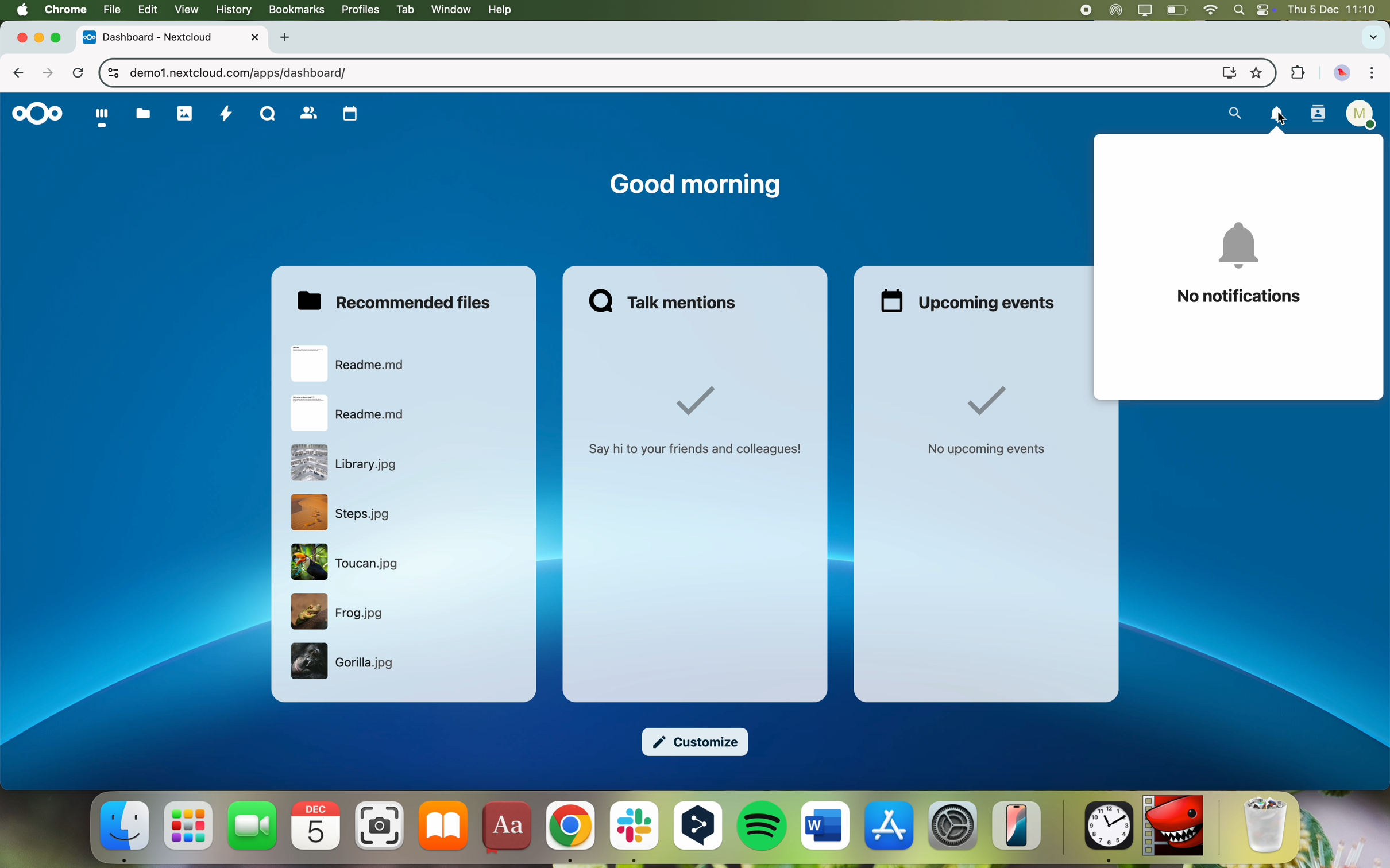 This screenshot has height=868, width=1390. What do you see at coordinates (1278, 118) in the screenshot?
I see `click on notifications` at bounding box center [1278, 118].